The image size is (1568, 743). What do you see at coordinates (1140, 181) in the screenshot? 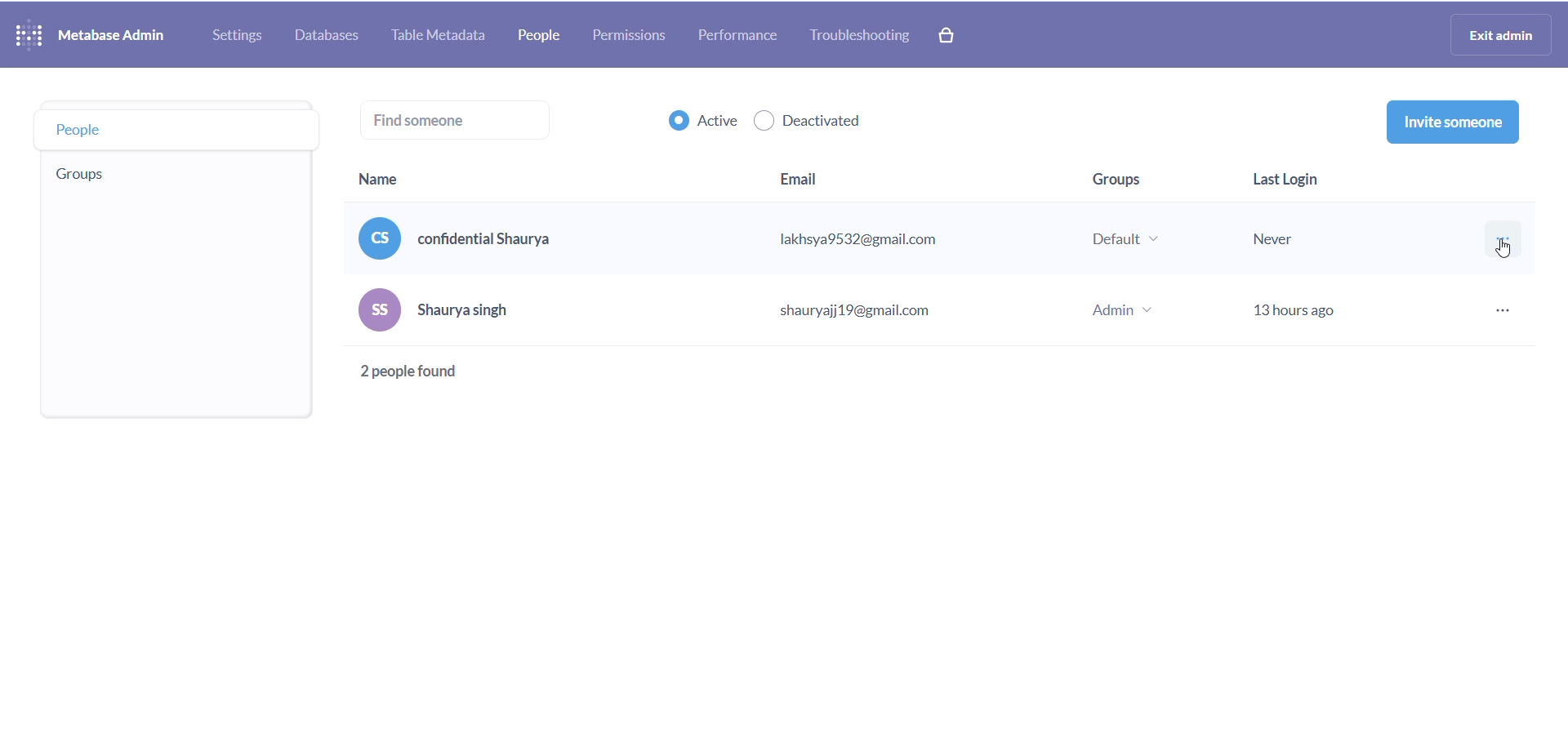
I see `group` at bounding box center [1140, 181].